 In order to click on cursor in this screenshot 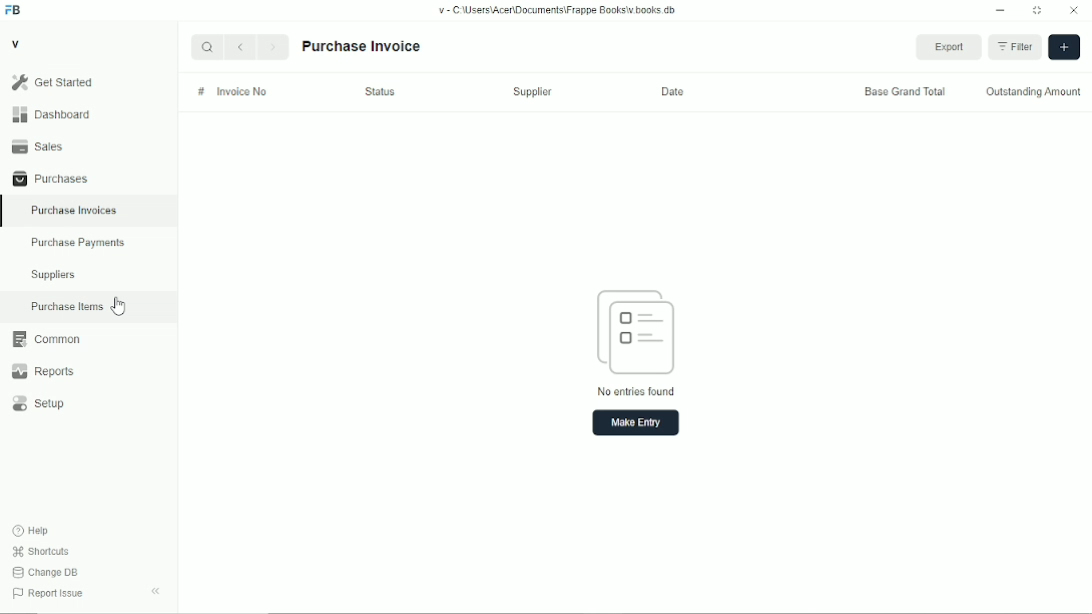, I will do `click(120, 306)`.